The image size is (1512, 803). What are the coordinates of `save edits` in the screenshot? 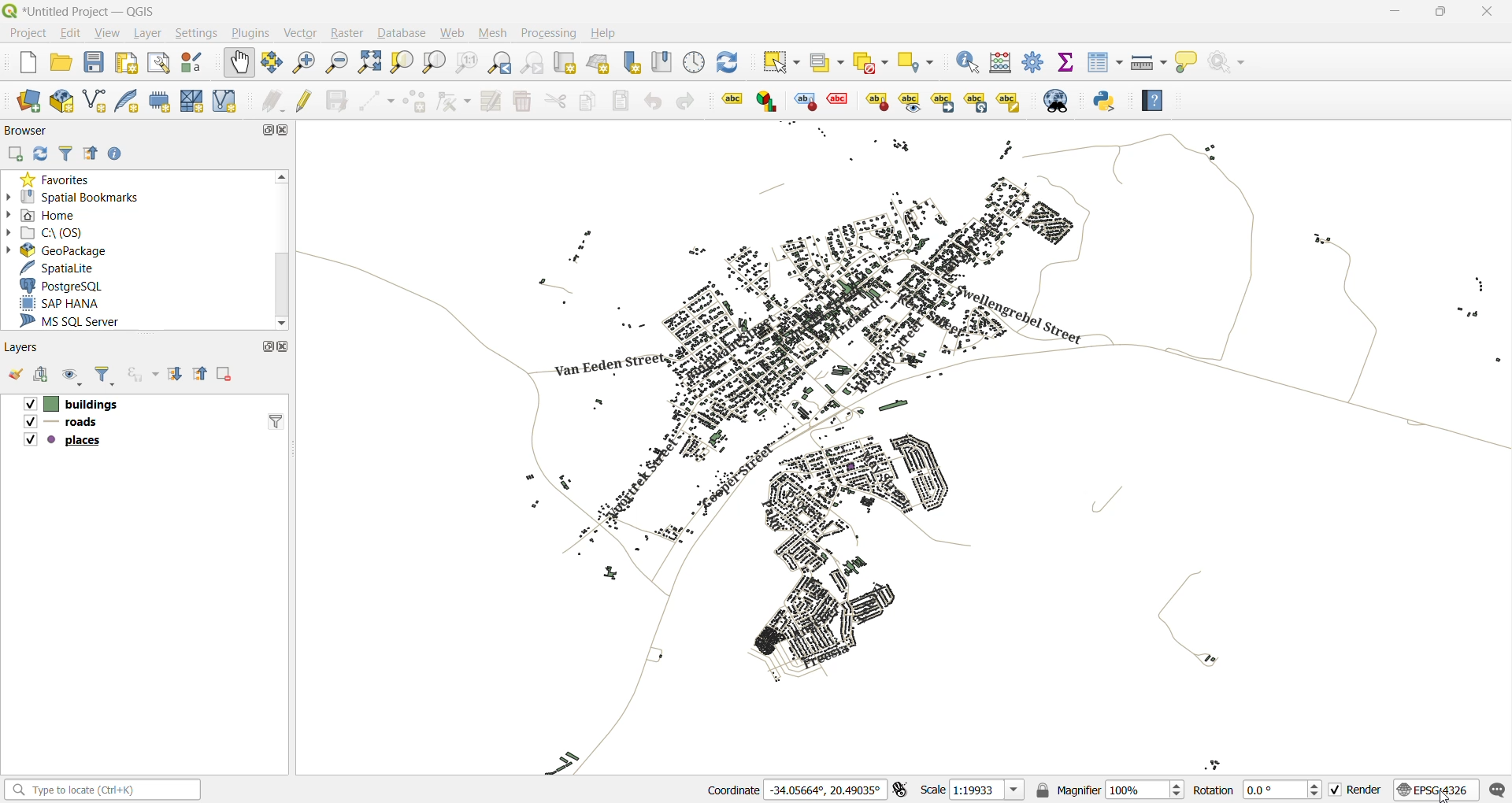 It's located at (336, 101).